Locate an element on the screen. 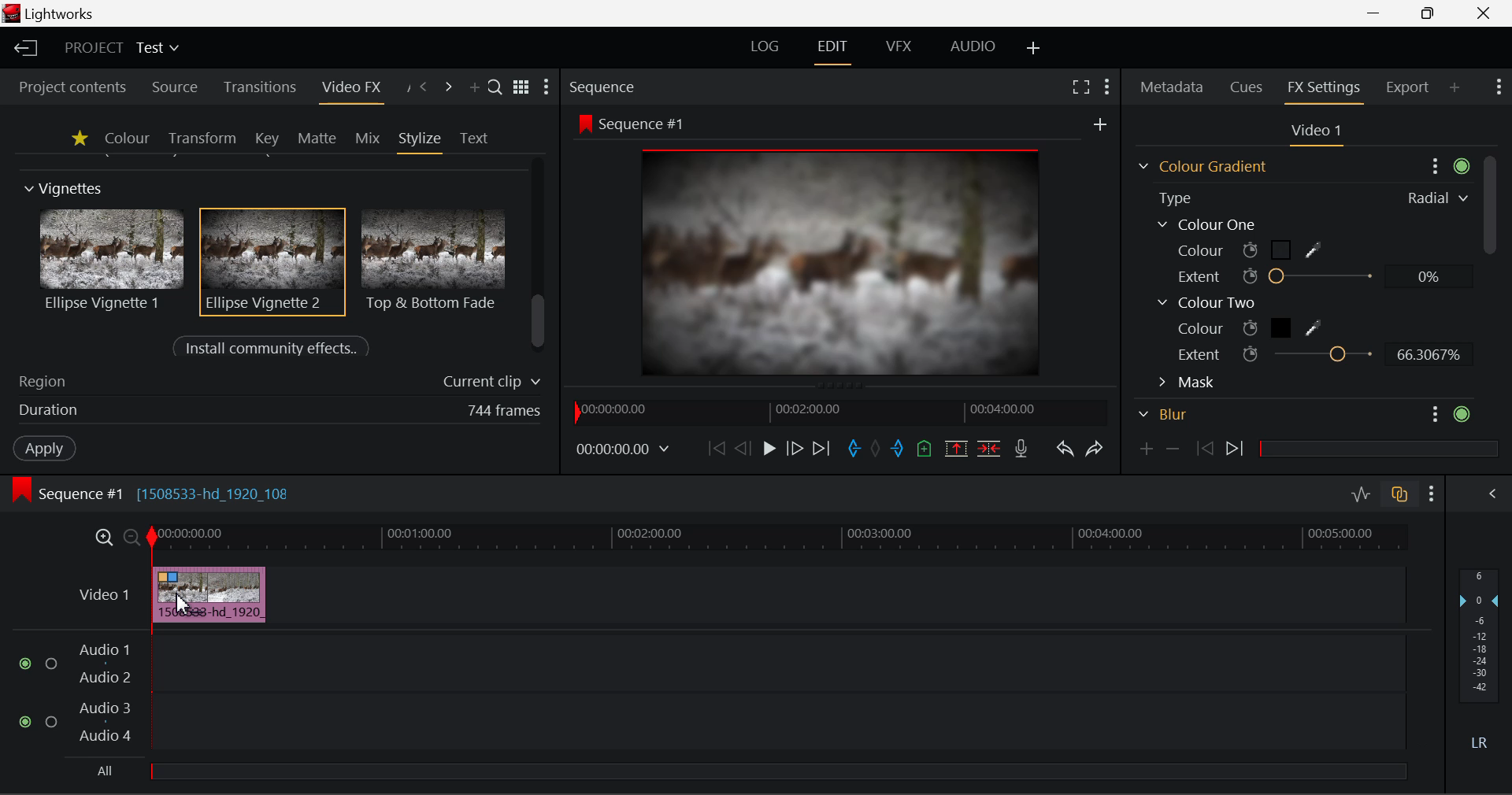 This screenshot has width=1512, height=795. Show Settings is located at coordinates (550, 87).